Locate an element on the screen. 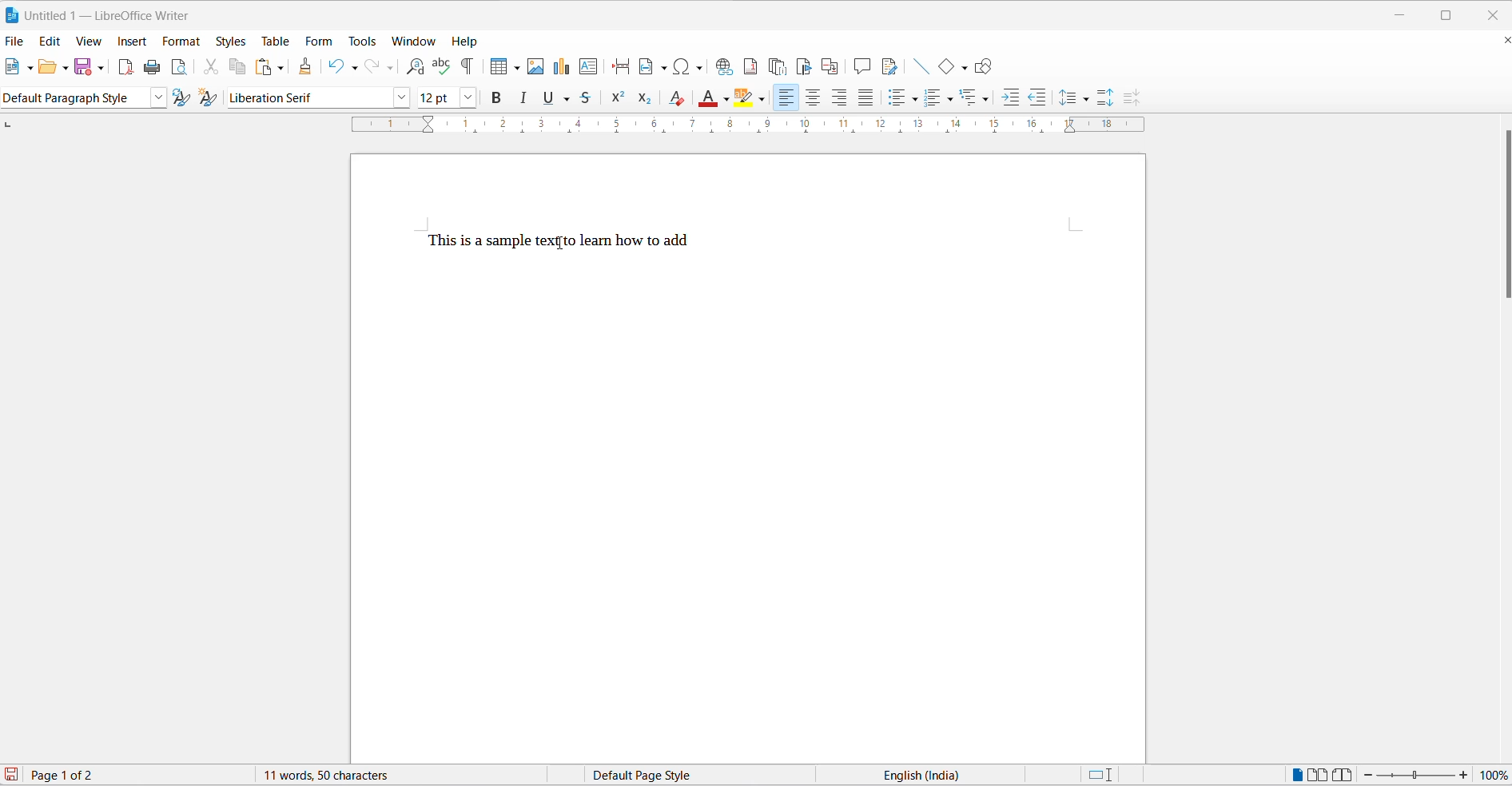 The height and width of the screenshot is (786, 1512). standard selection is located at coordinates (1100, 776).